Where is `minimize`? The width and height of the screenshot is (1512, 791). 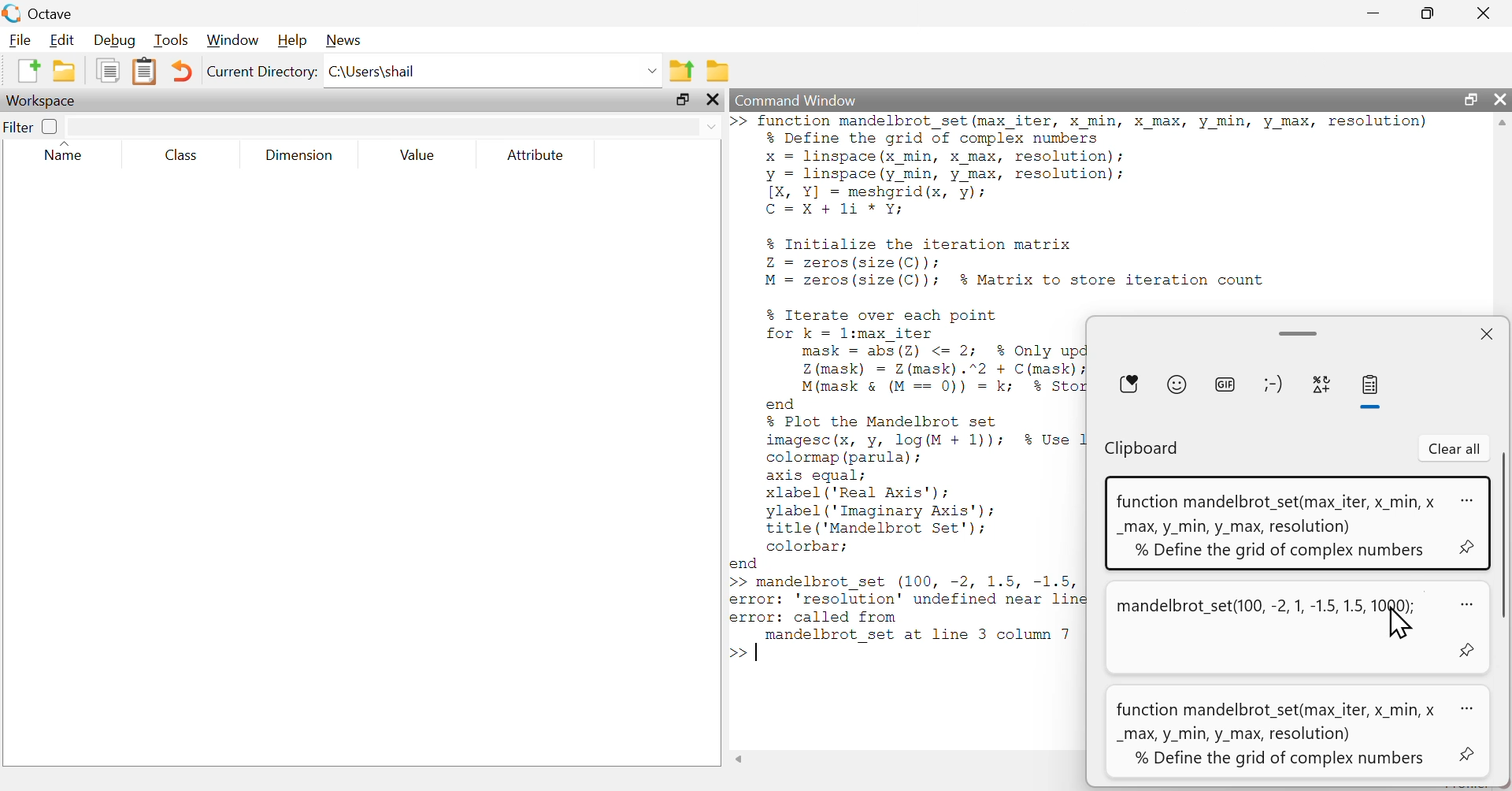 minimize is located at coordinates (1302, 335).